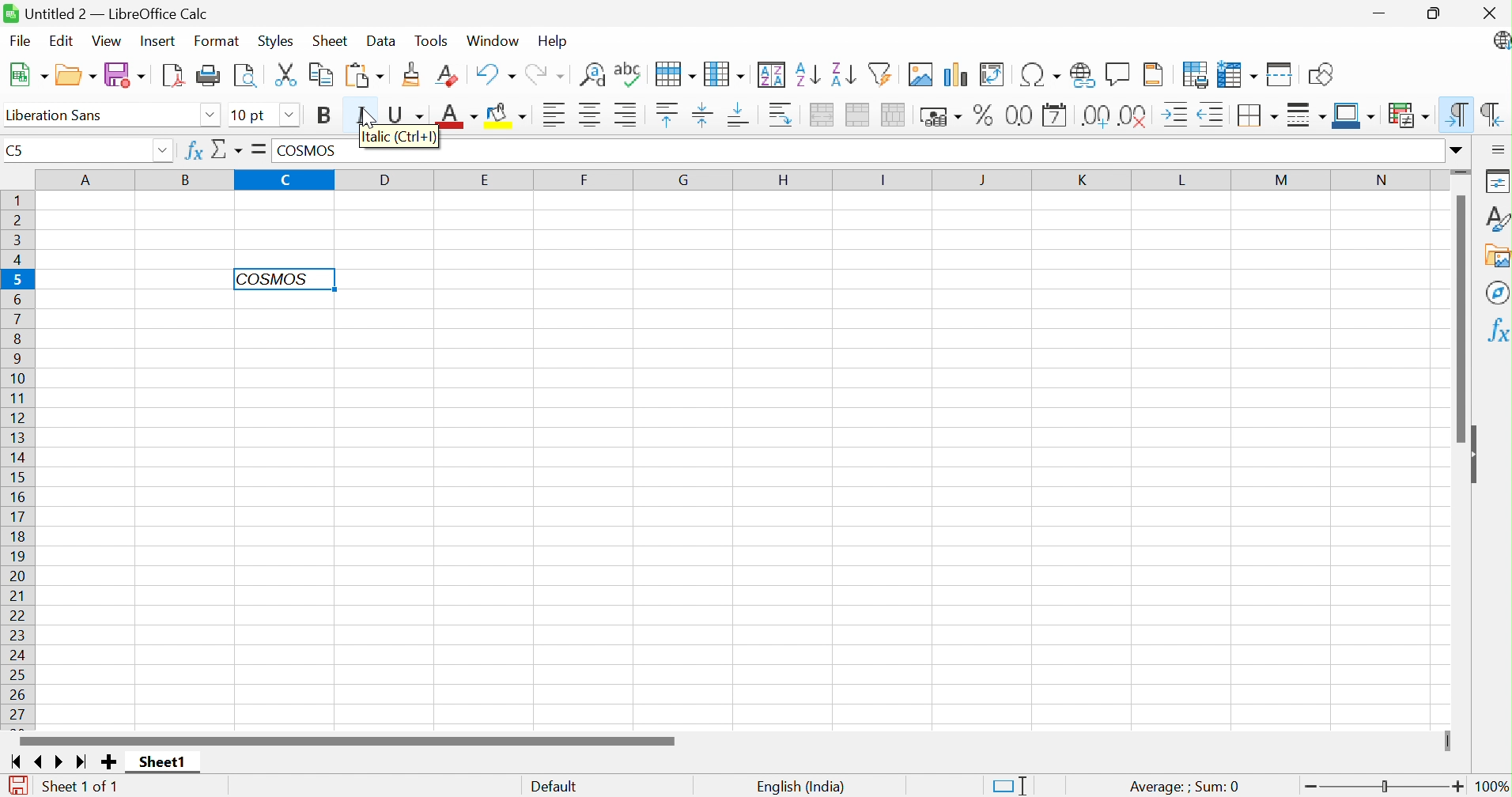 The width and height of the screenshot is (1512, 797). I want to click on Sort, so click(773, 74).